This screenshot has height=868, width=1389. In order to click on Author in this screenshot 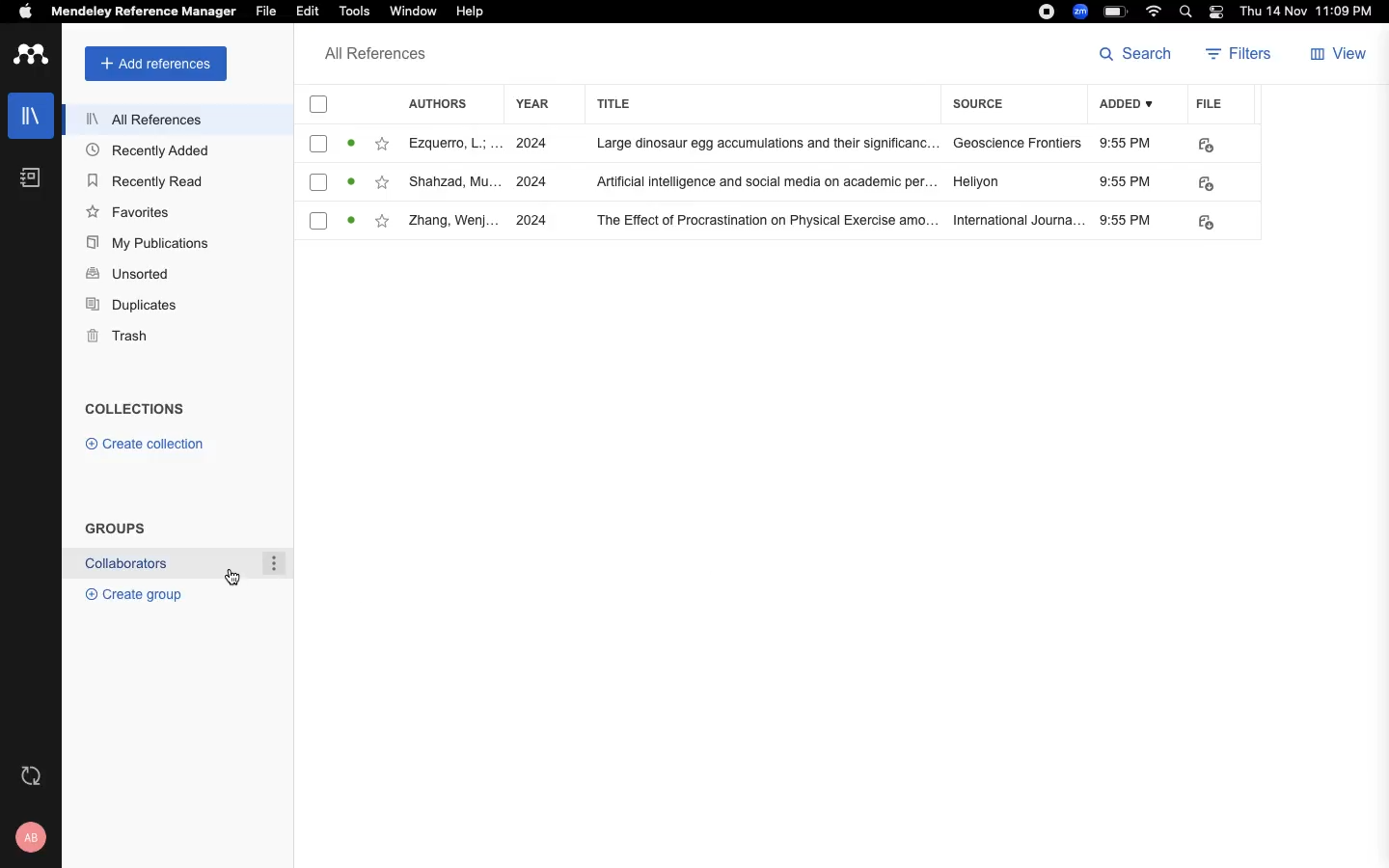, I will do `click(451, 224)`.